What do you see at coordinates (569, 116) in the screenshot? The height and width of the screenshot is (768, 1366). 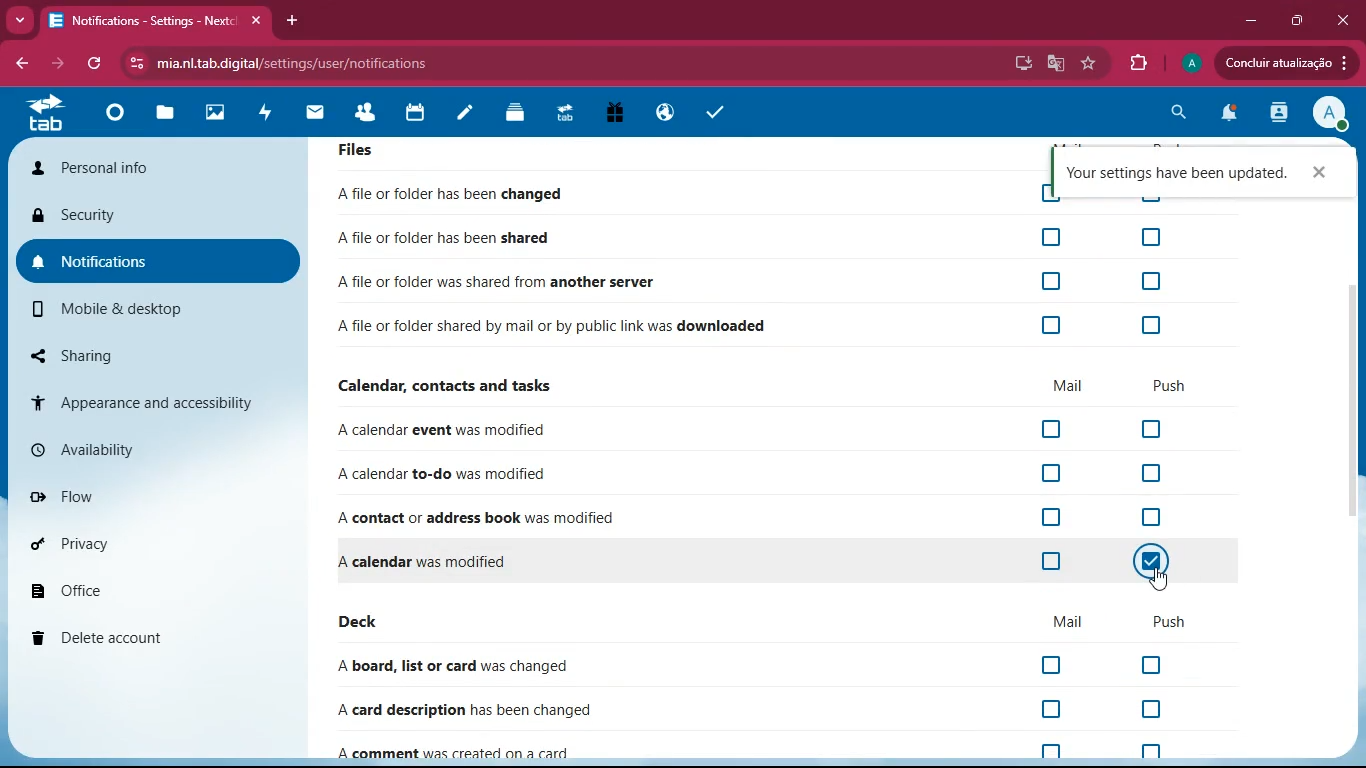 I see `tab` at bounding box center [569, 116].